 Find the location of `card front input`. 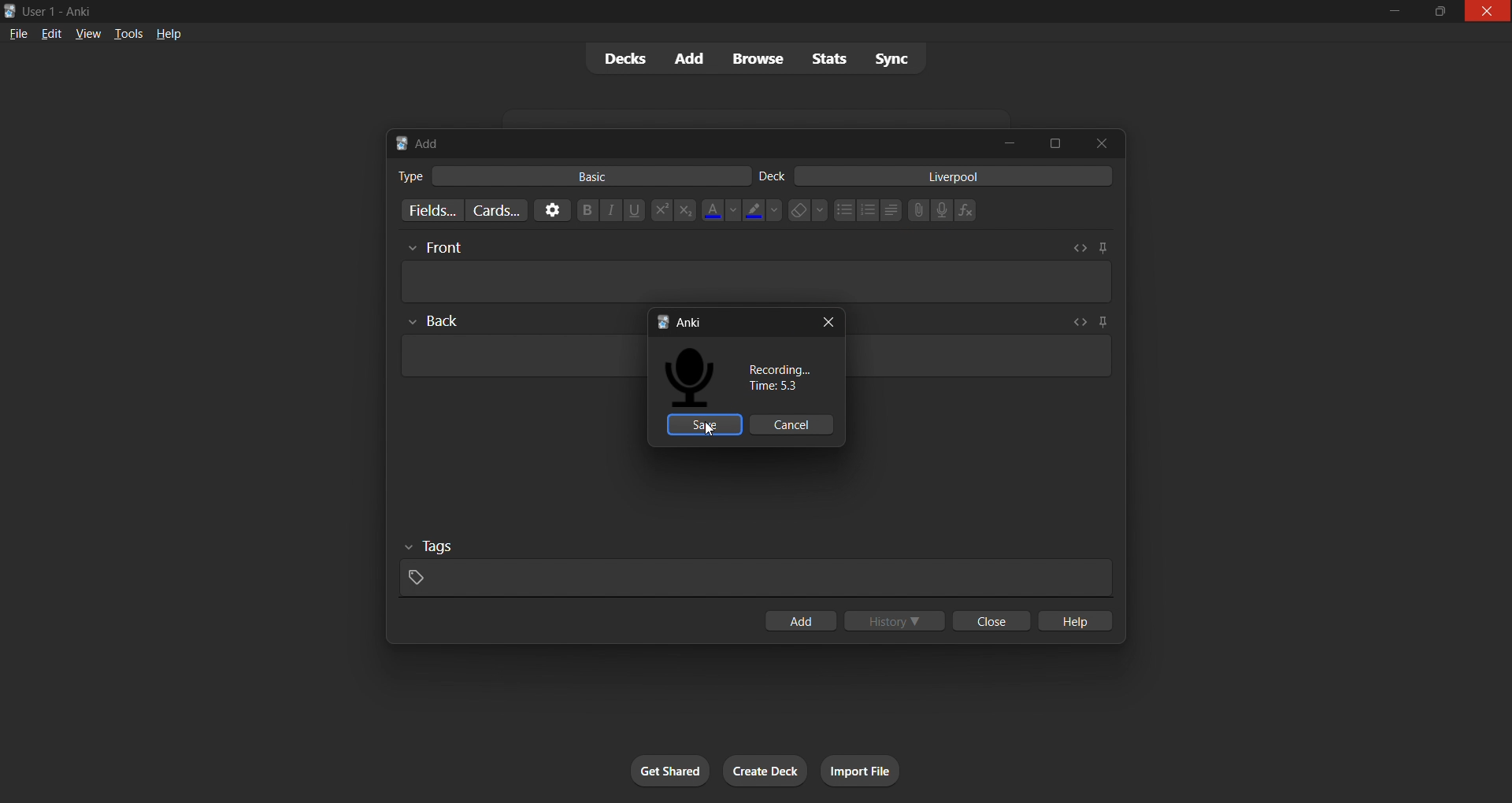

card front input is located at coordinates (757, 269).